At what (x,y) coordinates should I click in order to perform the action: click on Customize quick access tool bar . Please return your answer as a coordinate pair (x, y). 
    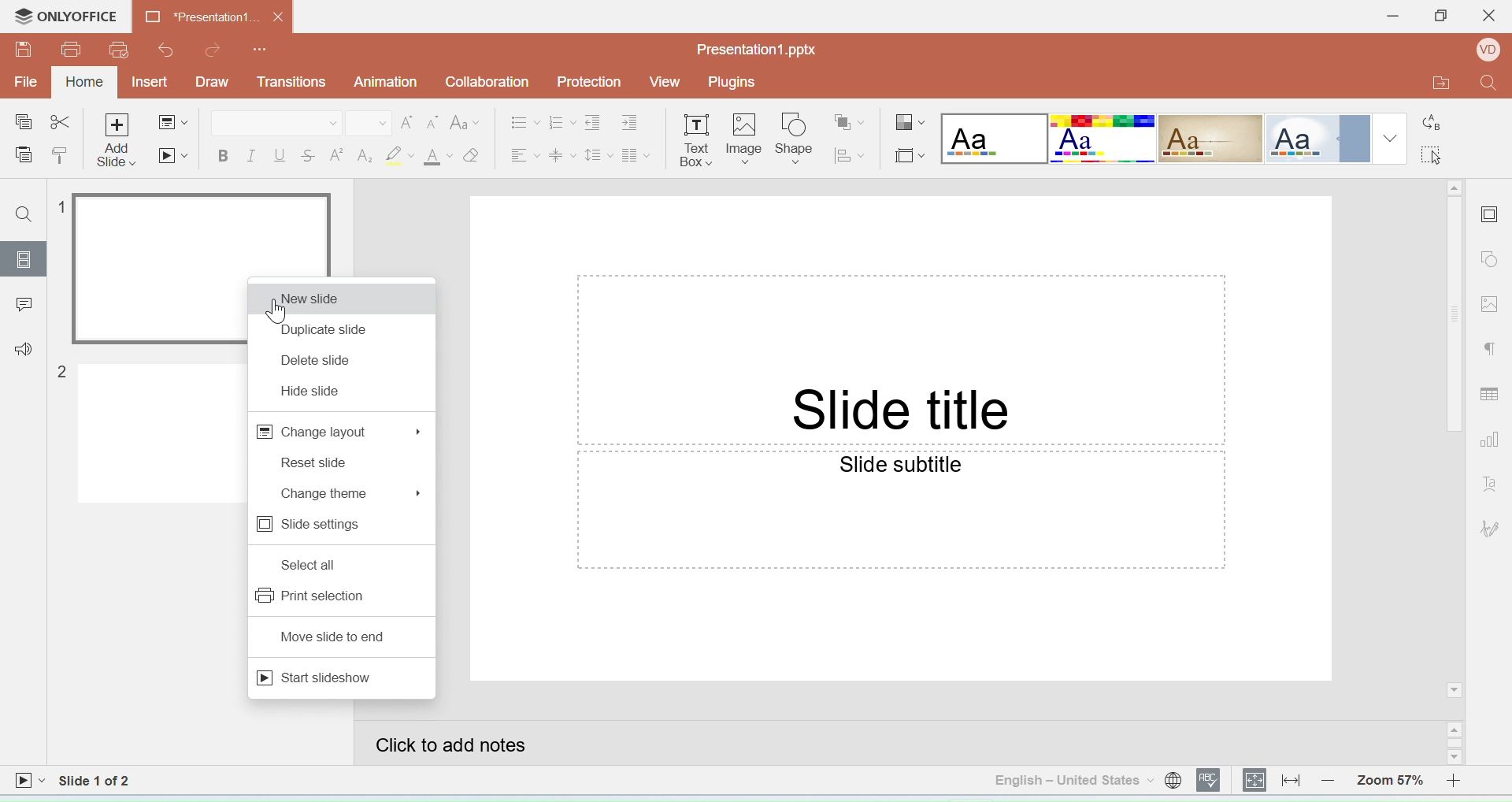
    Looking at the image, I should click on (261, 46).